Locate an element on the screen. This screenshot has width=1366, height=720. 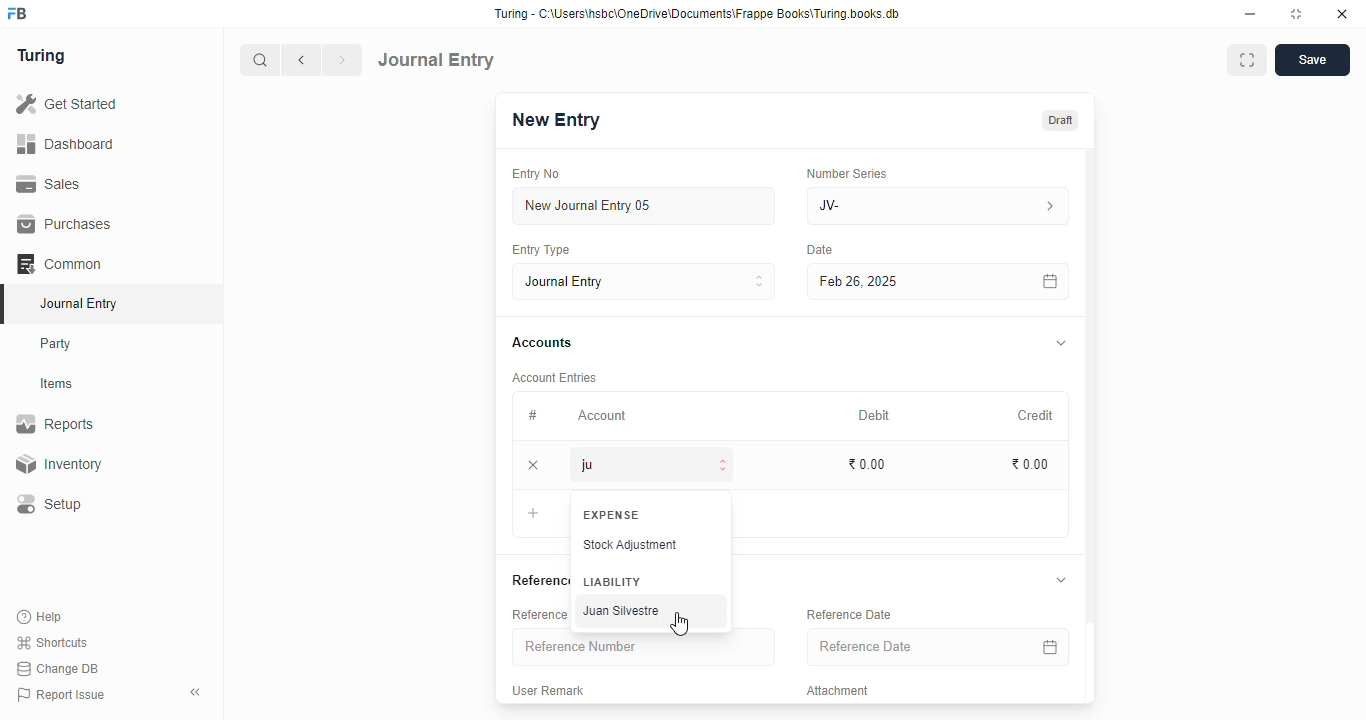
reference date is located at coordinates (909, 647).